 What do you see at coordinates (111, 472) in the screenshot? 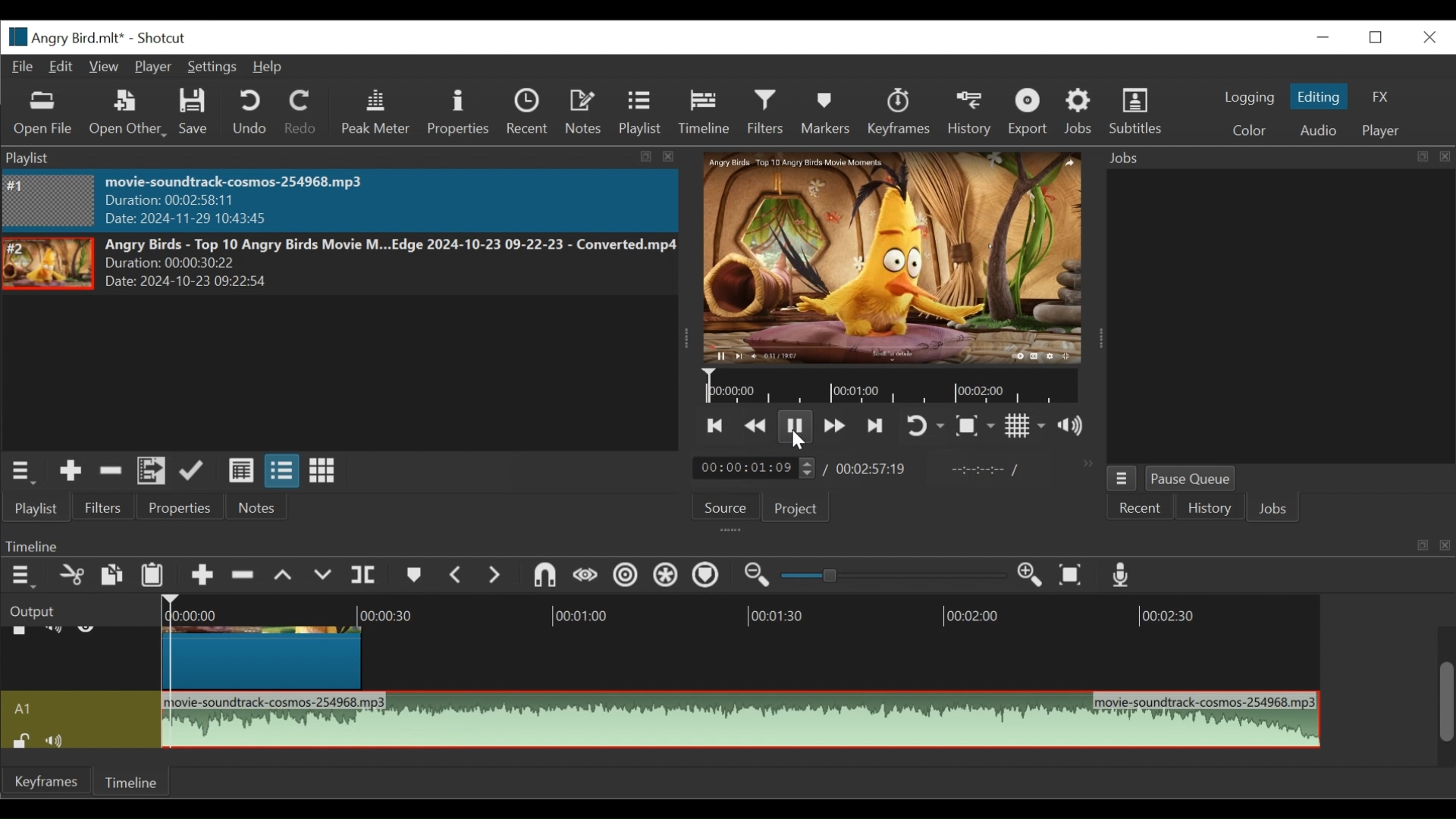
I see `Remove cut` at bounding box center [111, 472].